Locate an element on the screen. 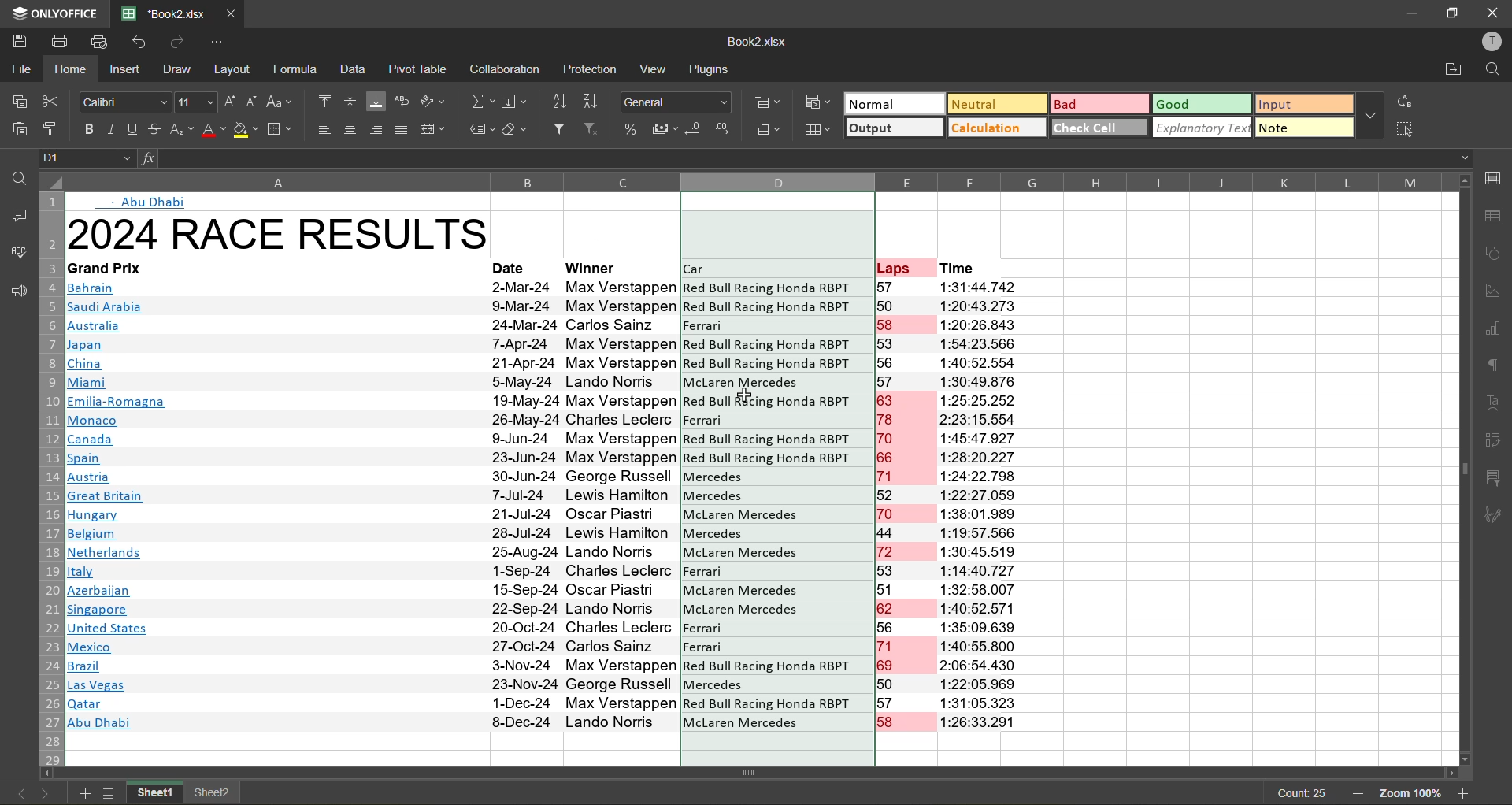 This screenshot has height=805, width=1512. row numbers is located at coordinates (54, 478).